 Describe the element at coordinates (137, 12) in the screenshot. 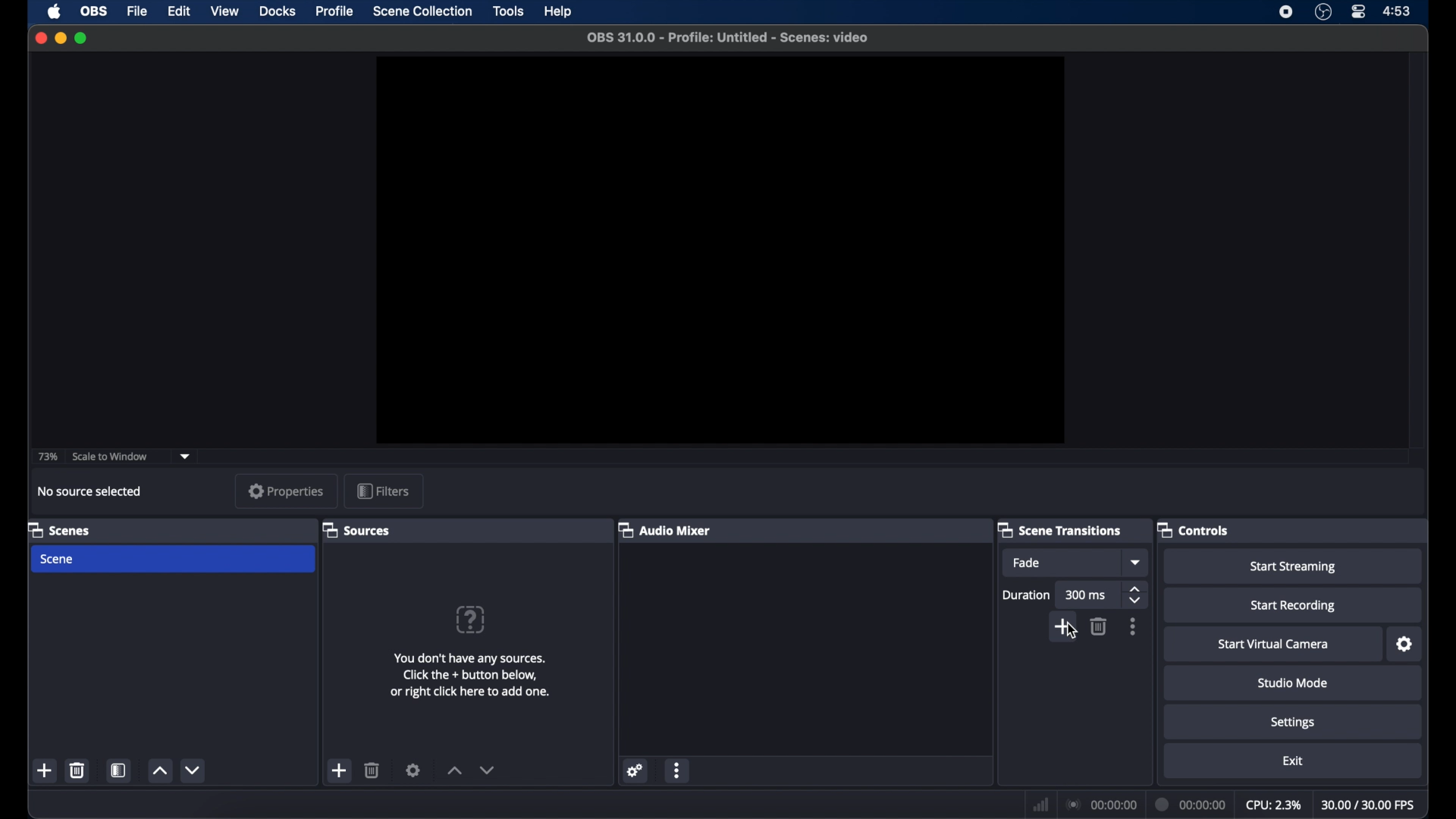

I see `file` at that location.